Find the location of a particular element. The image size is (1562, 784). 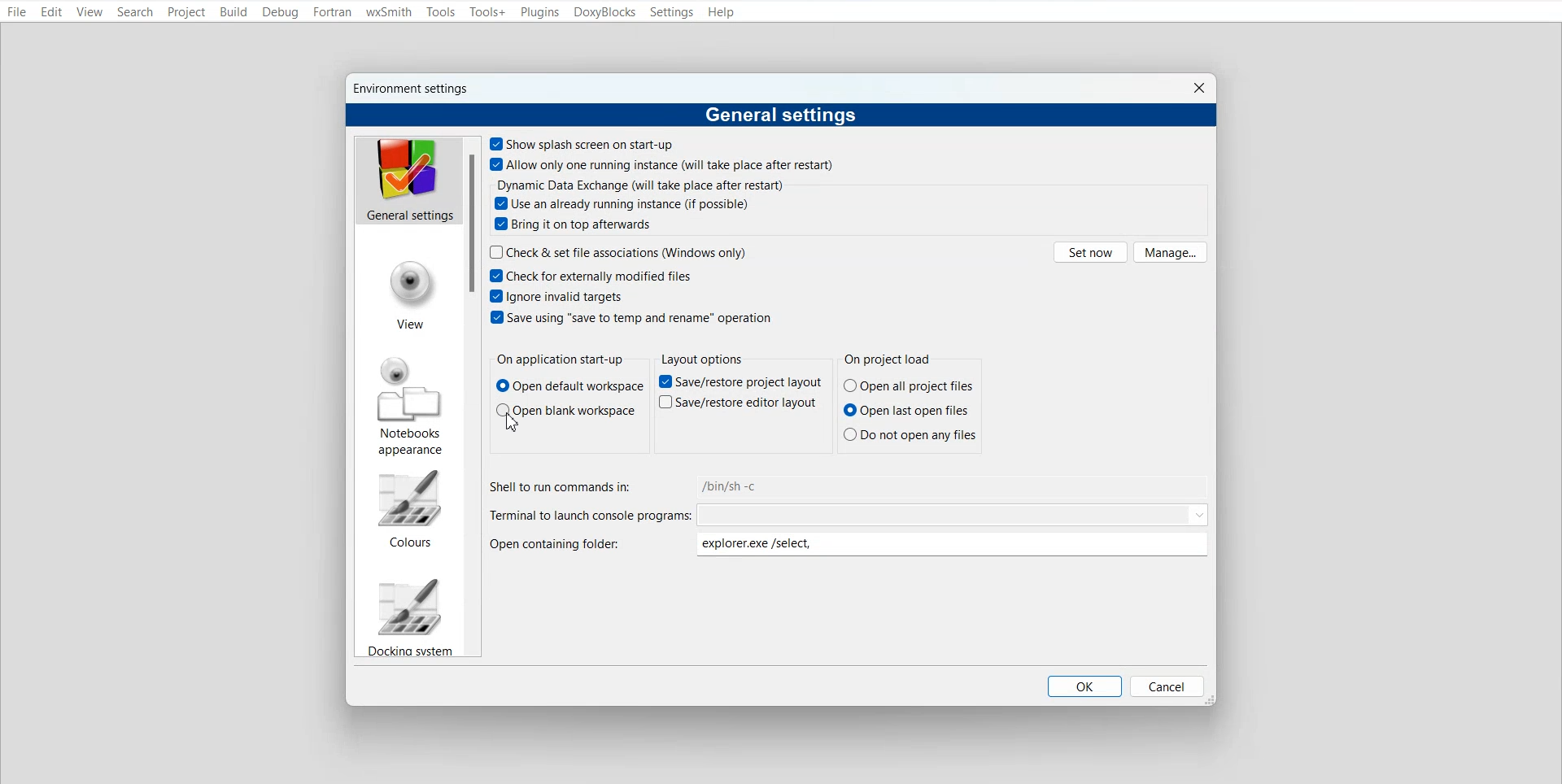

Tools+ is located at coordinates (487, 12).